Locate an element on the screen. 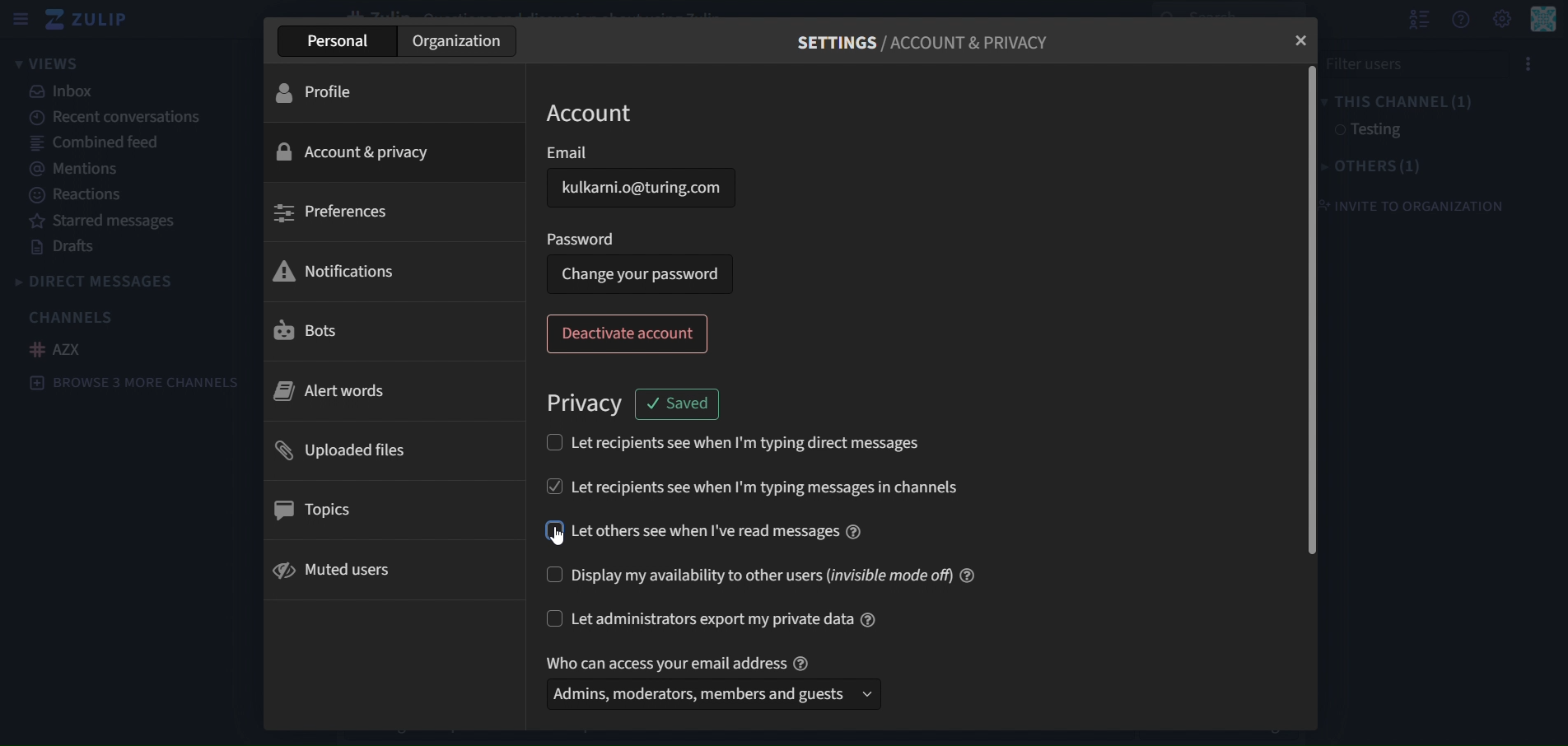  cursor is located at coordinates (566, 539).